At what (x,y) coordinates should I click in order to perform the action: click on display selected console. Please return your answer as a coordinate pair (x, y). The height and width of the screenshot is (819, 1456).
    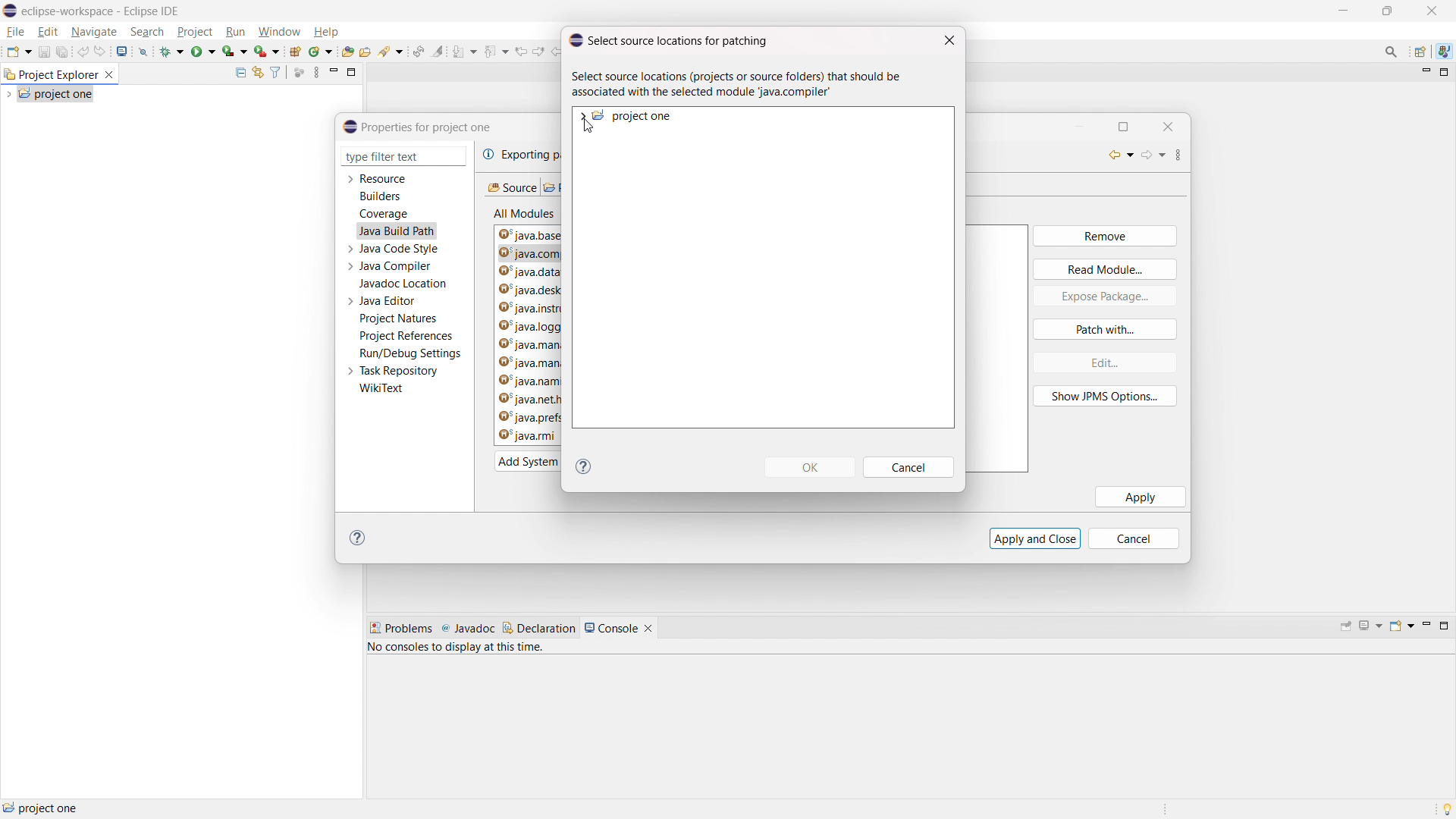
    Looking at the image, I should click on (1372, 626).